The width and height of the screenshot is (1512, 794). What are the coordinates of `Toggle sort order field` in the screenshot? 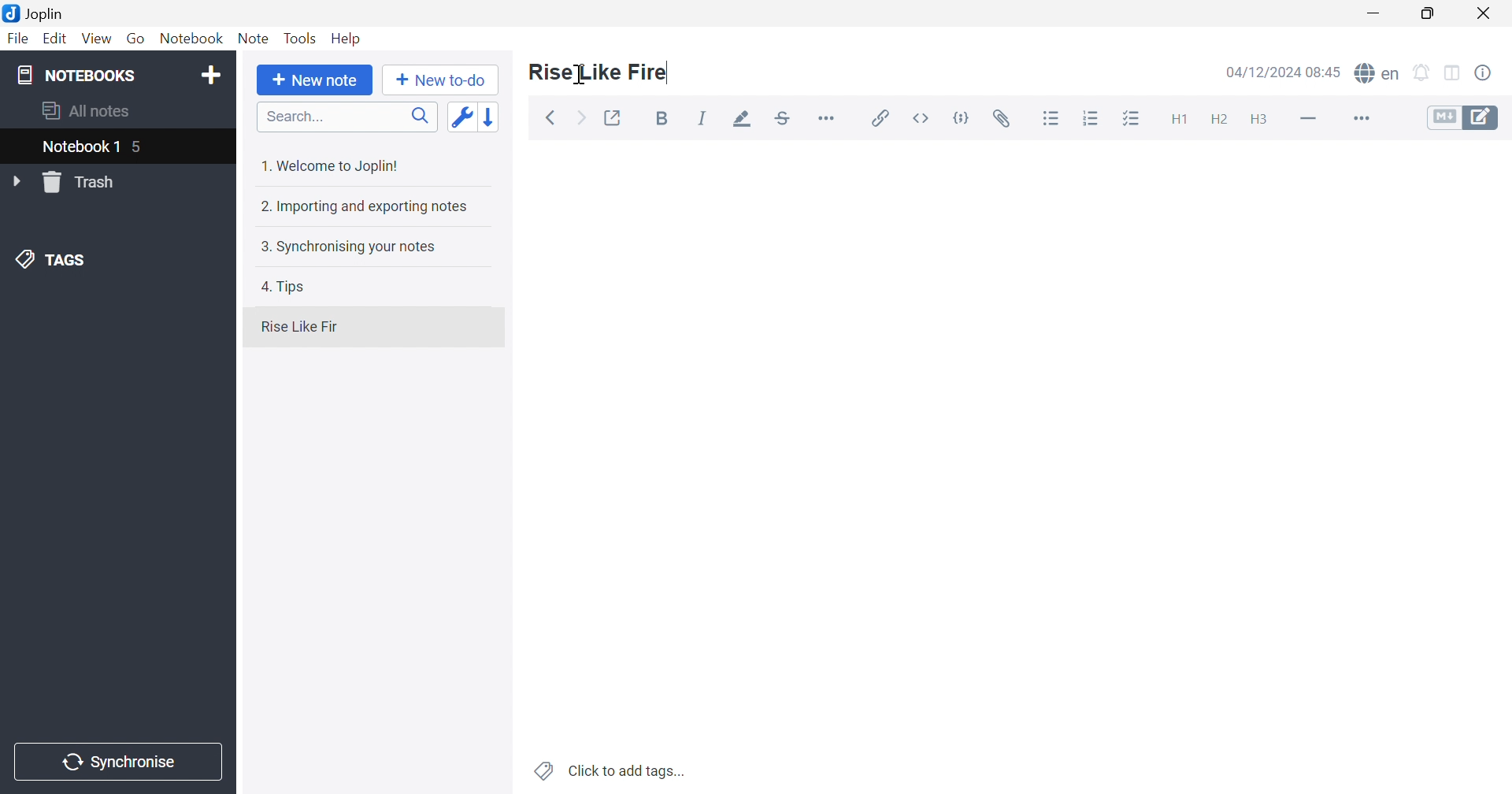 It's located at (461, 117).